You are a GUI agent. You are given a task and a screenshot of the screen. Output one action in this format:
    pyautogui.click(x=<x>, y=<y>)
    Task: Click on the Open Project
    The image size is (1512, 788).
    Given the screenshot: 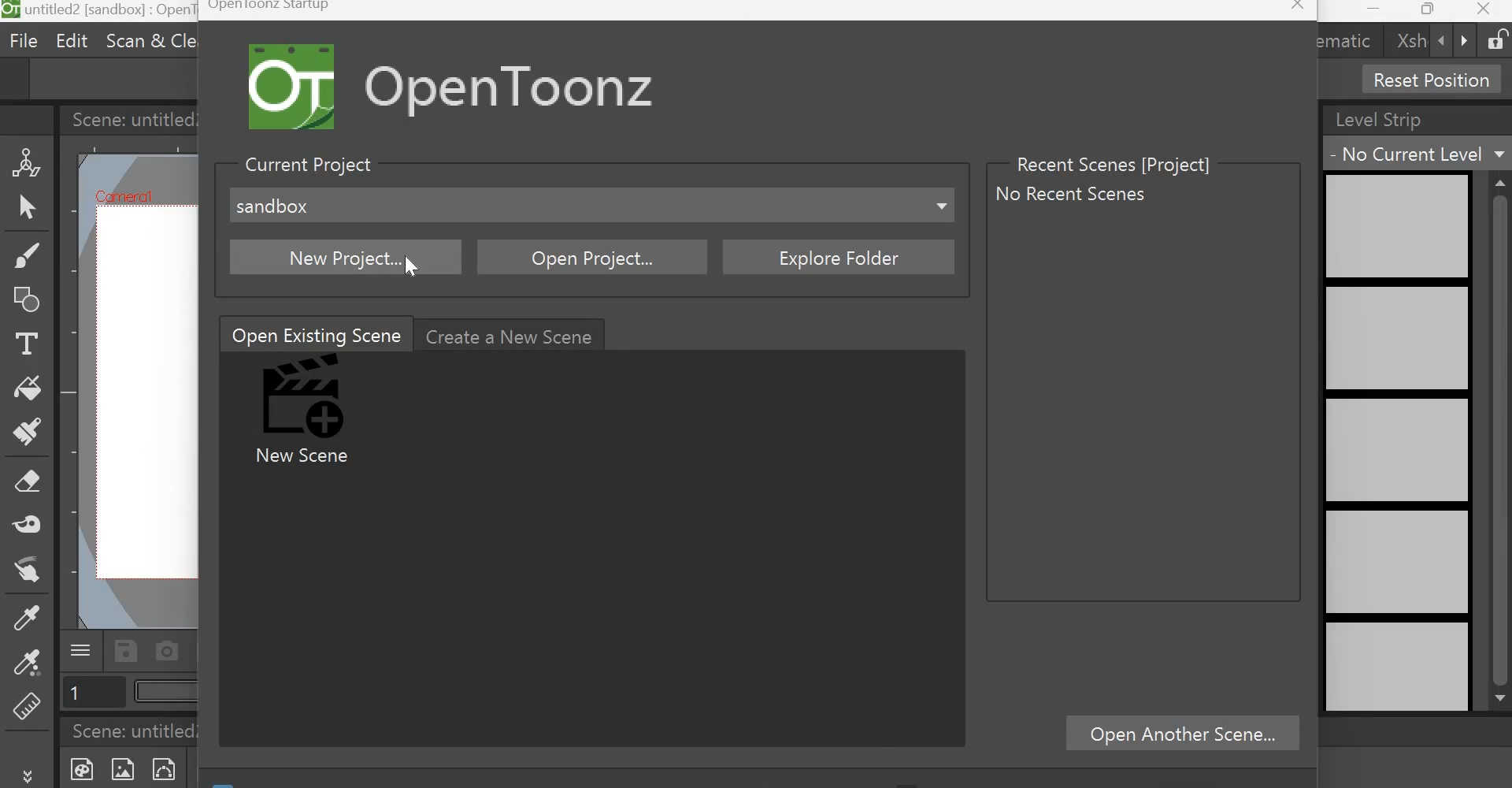 What is the action you would take?
    pyautogui.click(x=595, y=257)
    